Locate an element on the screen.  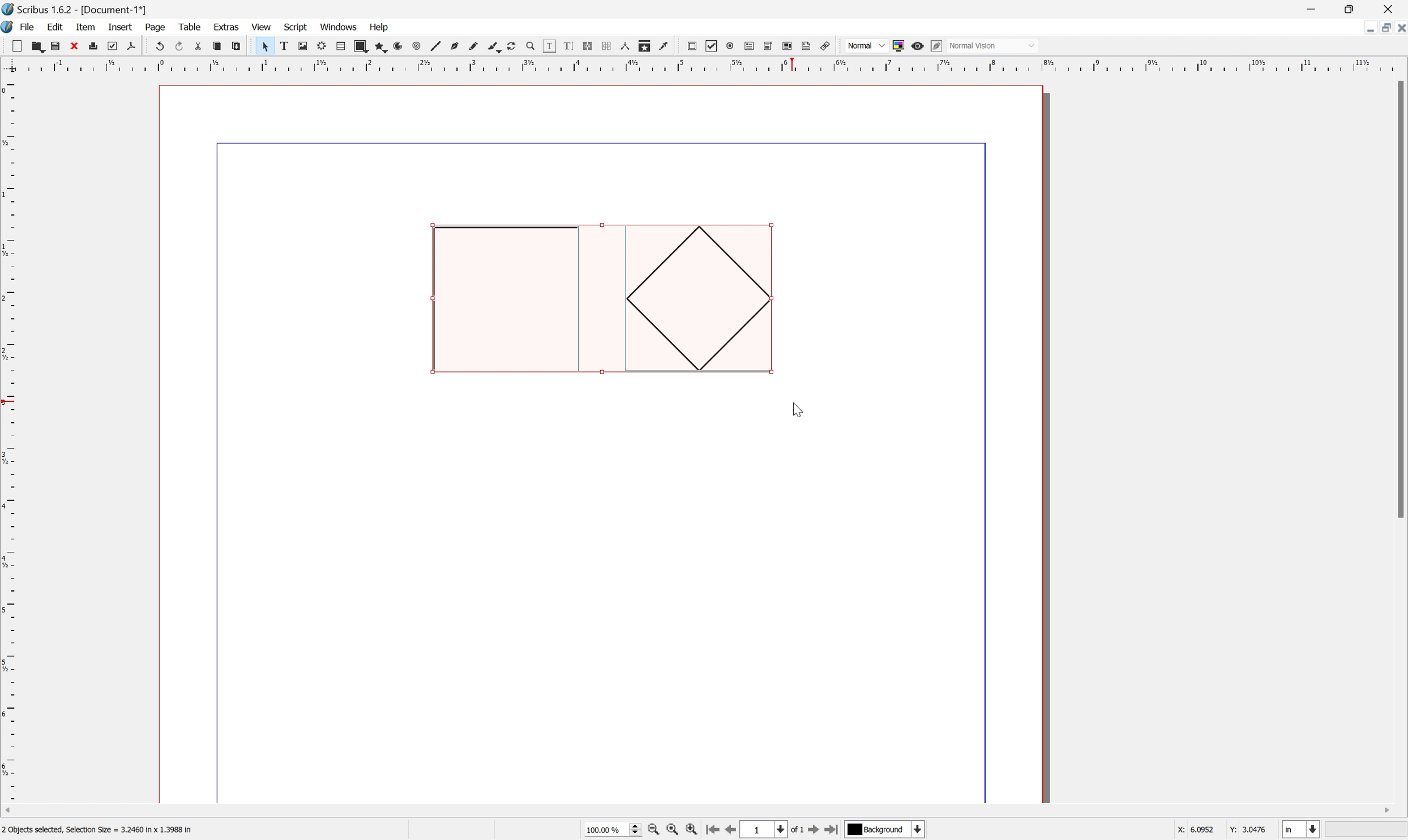
page is located at coordinates (157, 27).